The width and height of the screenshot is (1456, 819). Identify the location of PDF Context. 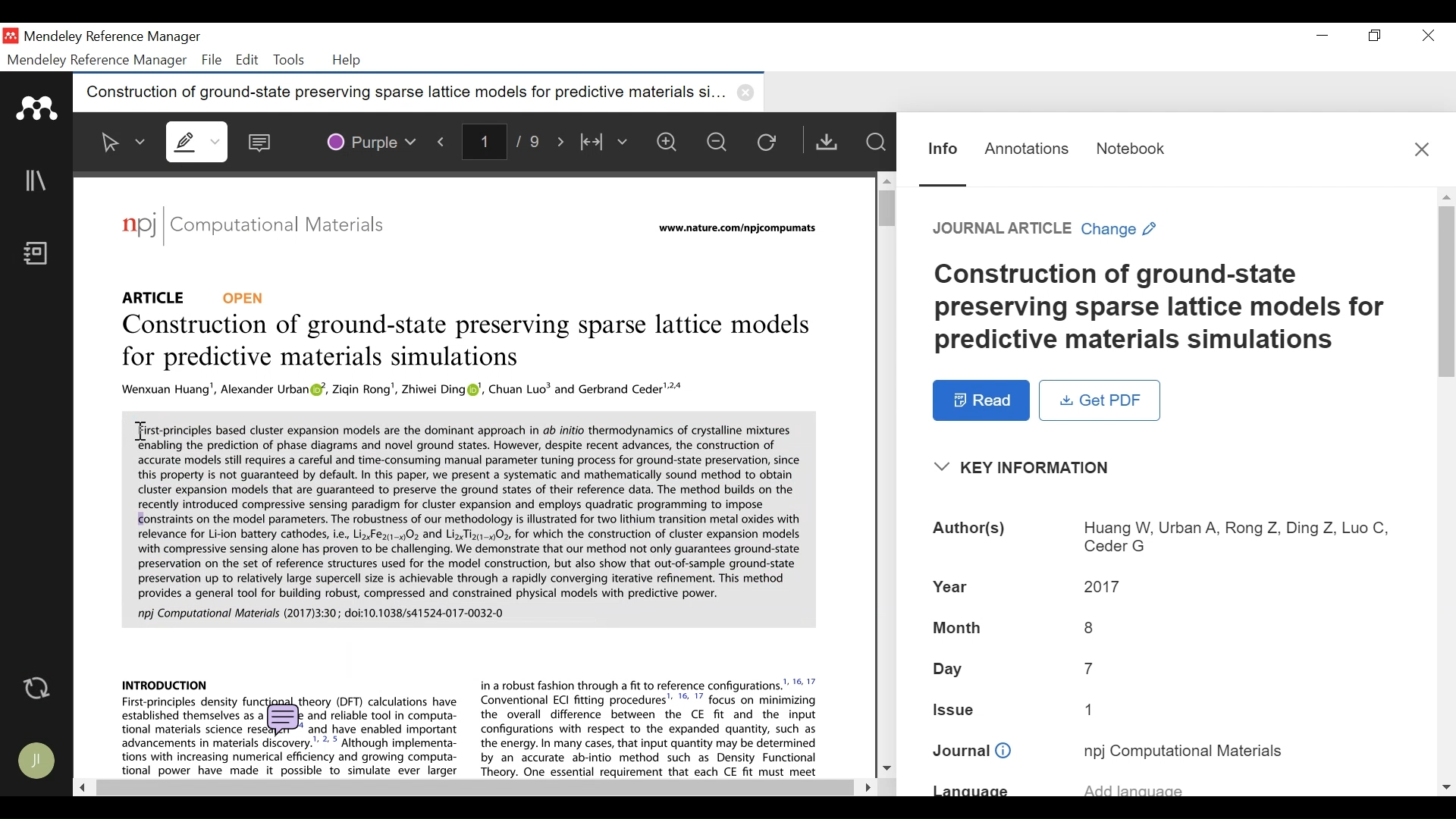
(467, 518).